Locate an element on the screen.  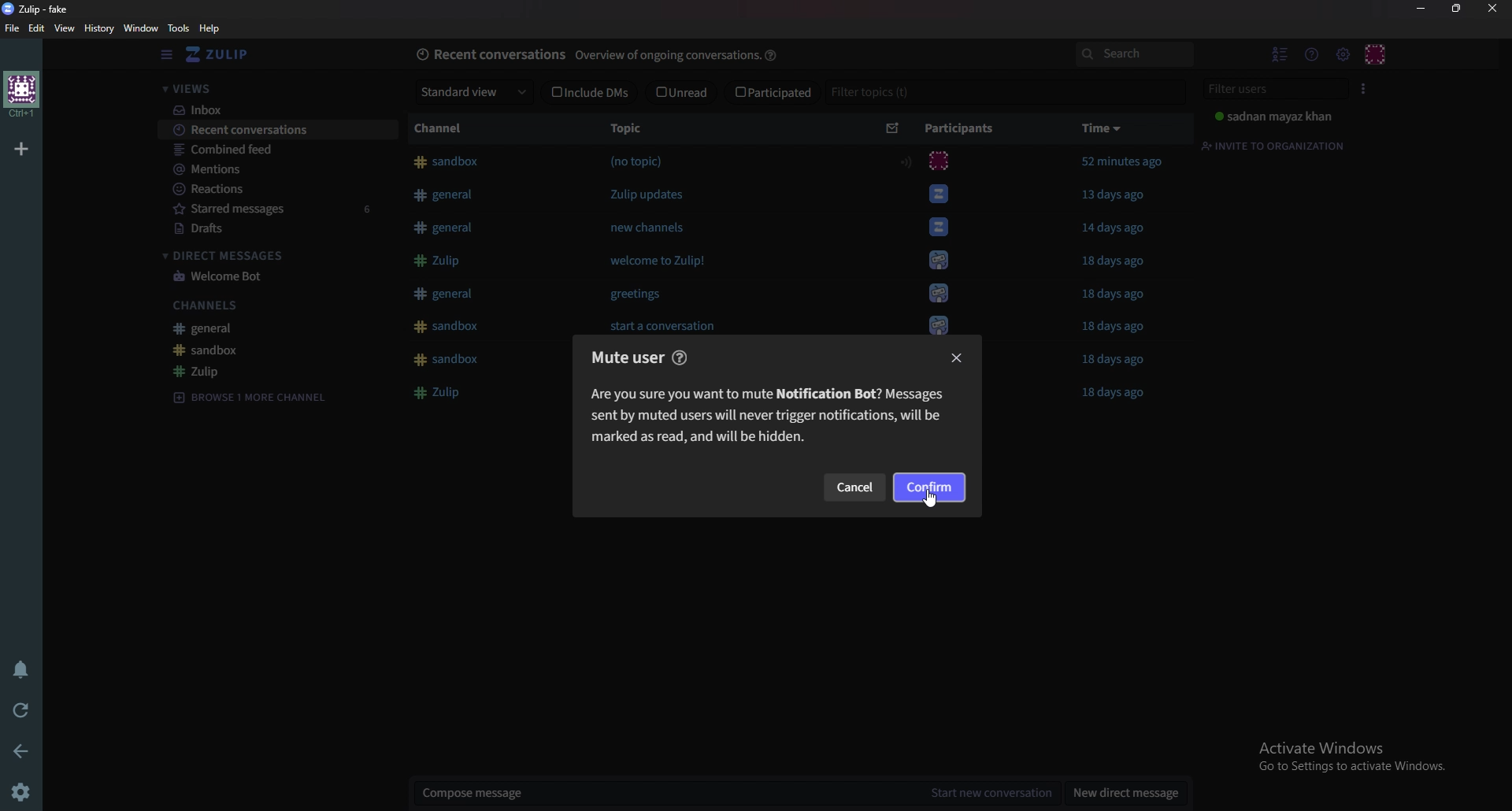
Time is located at coordinates (1102, 128).